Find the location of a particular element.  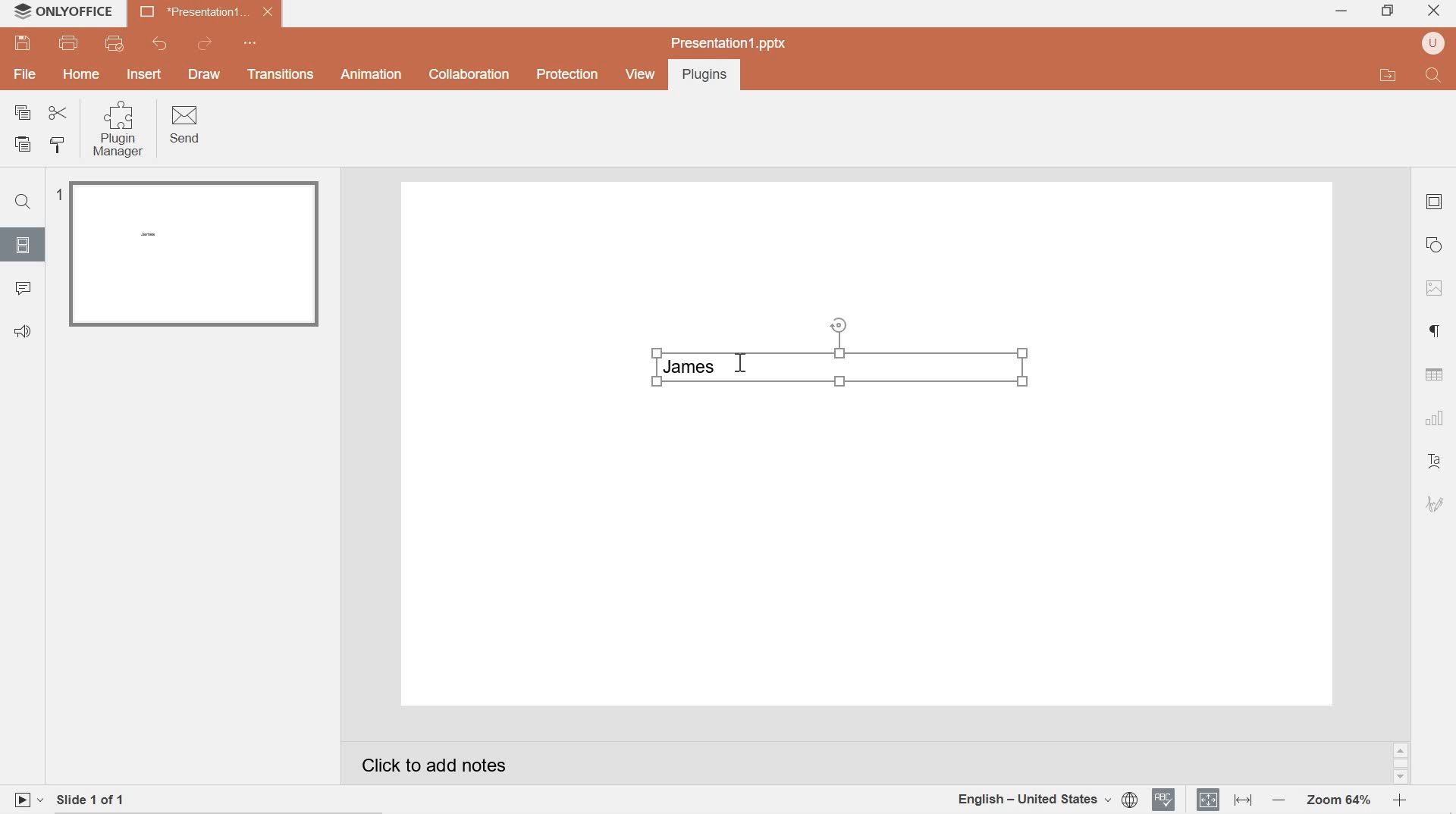

Inserted text is located at coordinates (838, 352).